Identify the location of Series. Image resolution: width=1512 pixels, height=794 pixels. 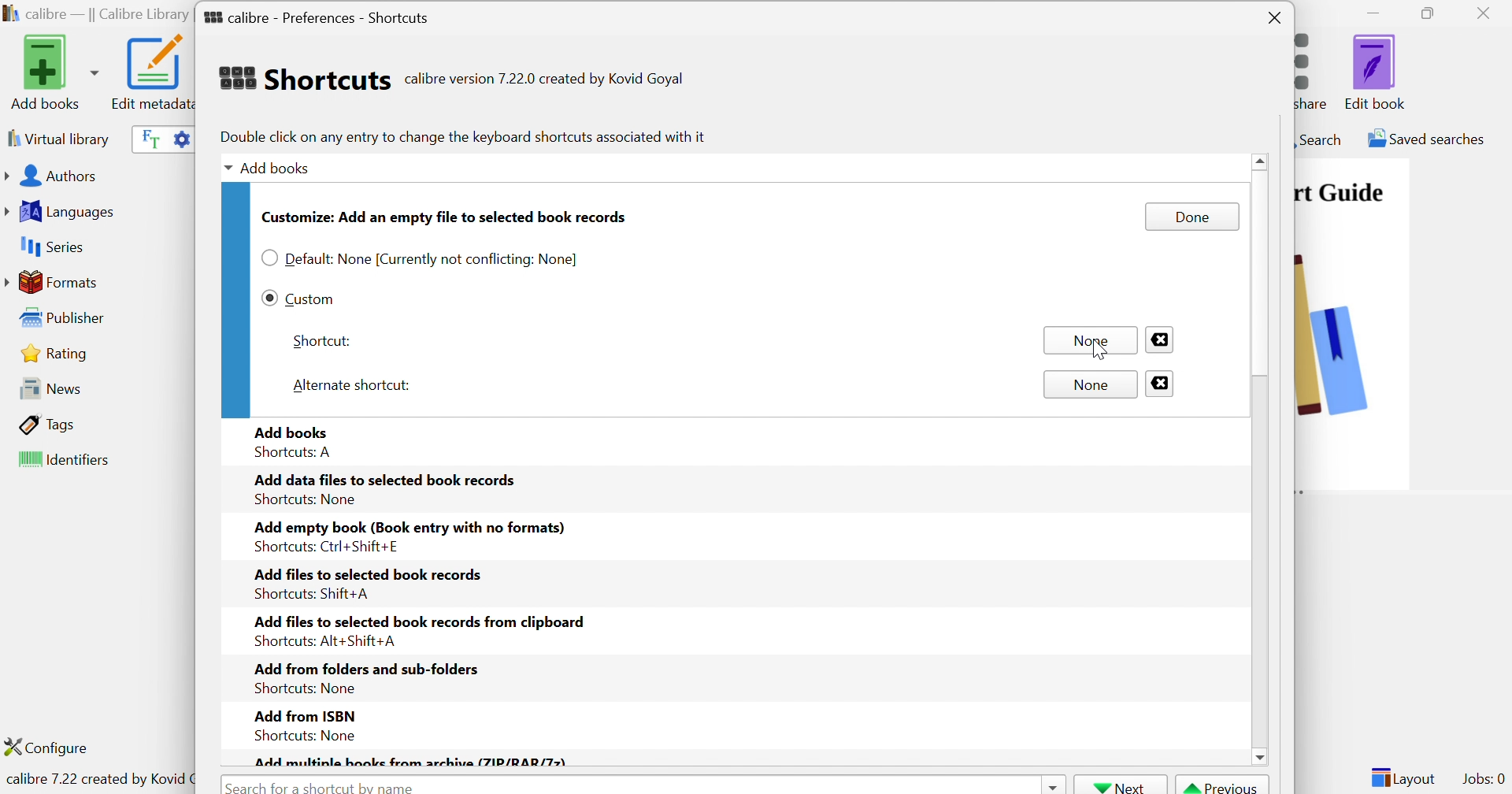
(50, 247).